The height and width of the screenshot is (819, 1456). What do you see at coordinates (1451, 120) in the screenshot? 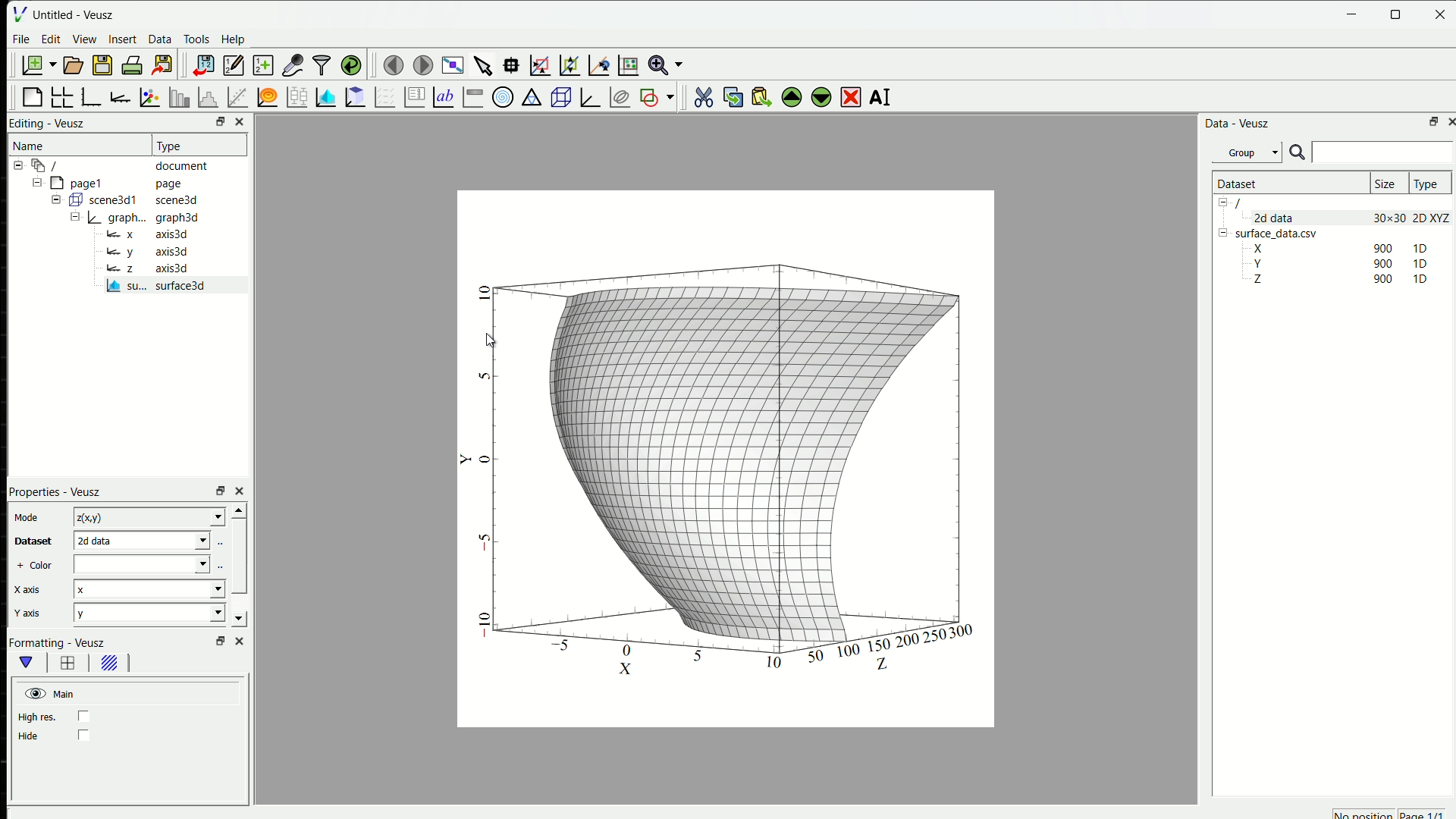
I see `close` at bounding box center [1451, 120].